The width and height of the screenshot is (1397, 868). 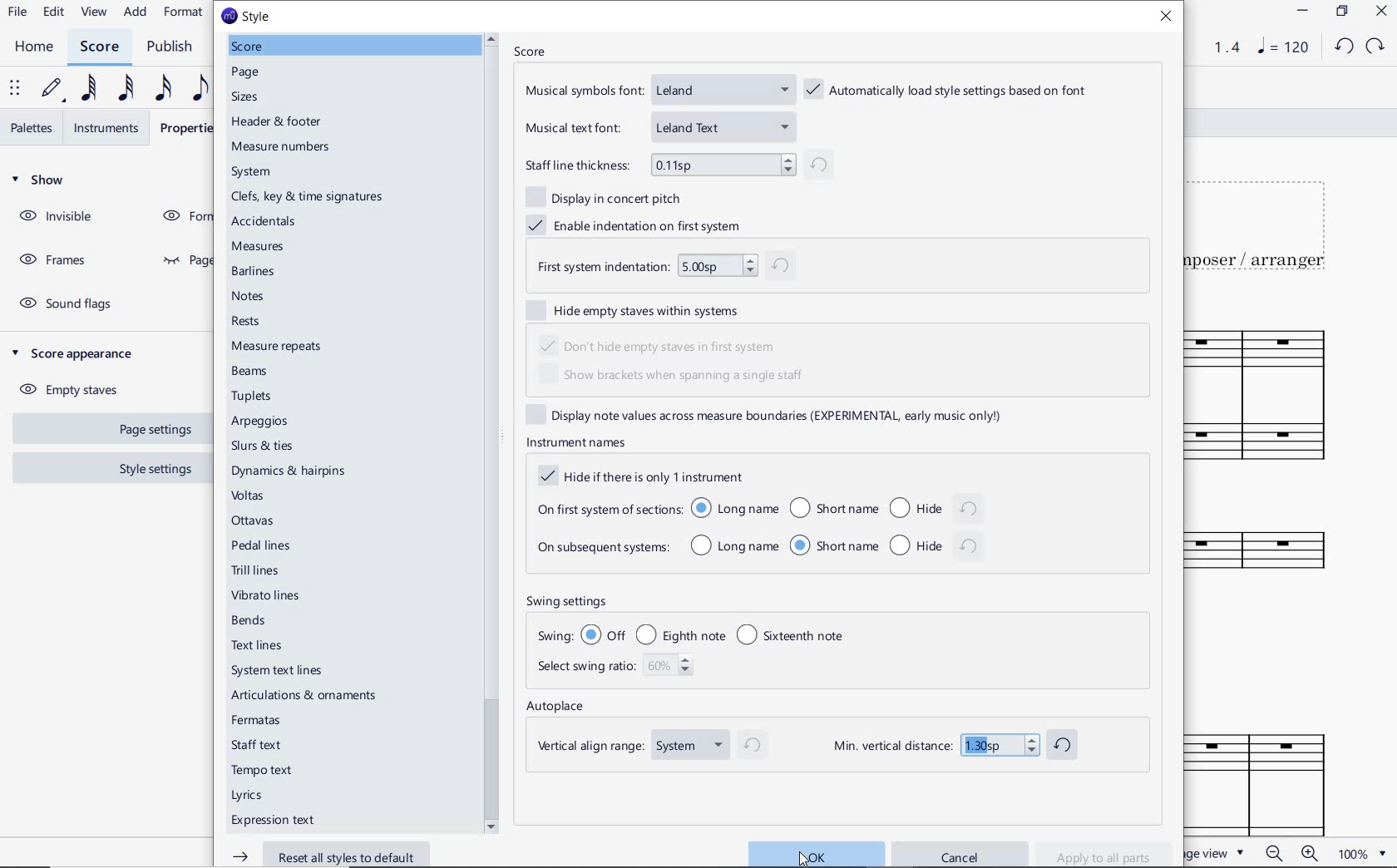 I want to click on TITLE, so click(x=1268, y=223).